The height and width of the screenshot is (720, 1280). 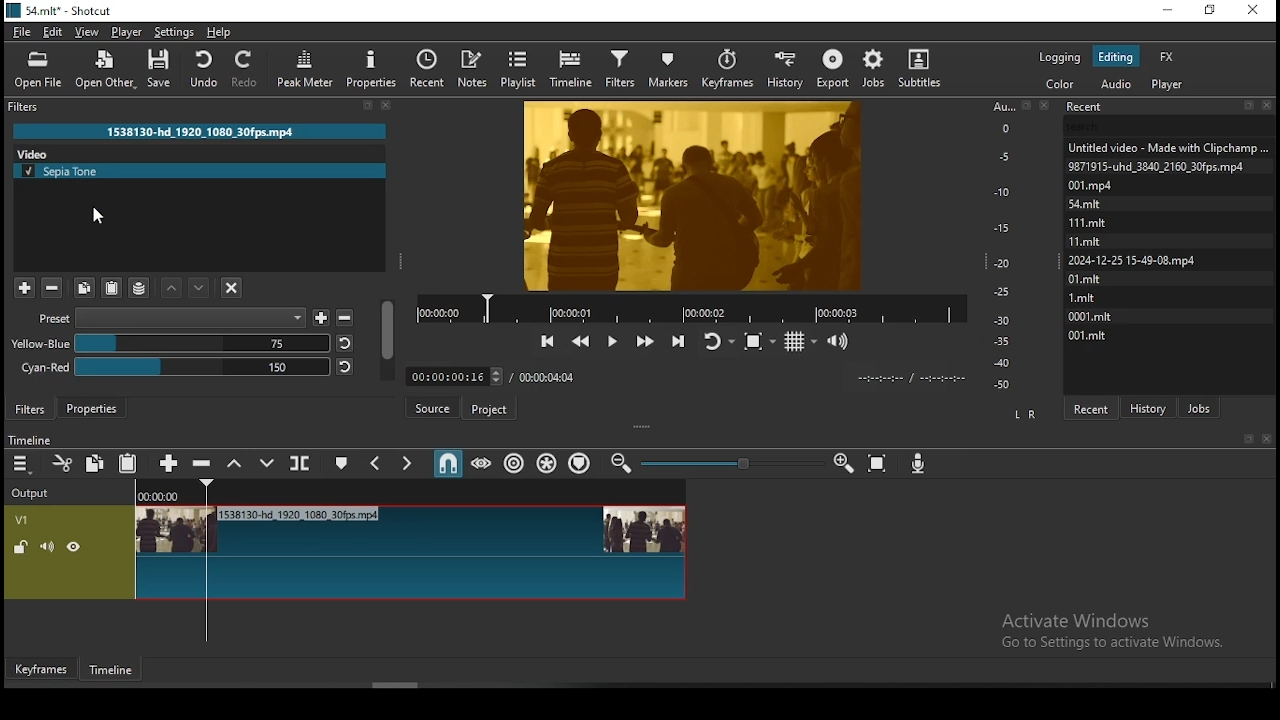 I want to click on scale, so click(x=1003, y=245).